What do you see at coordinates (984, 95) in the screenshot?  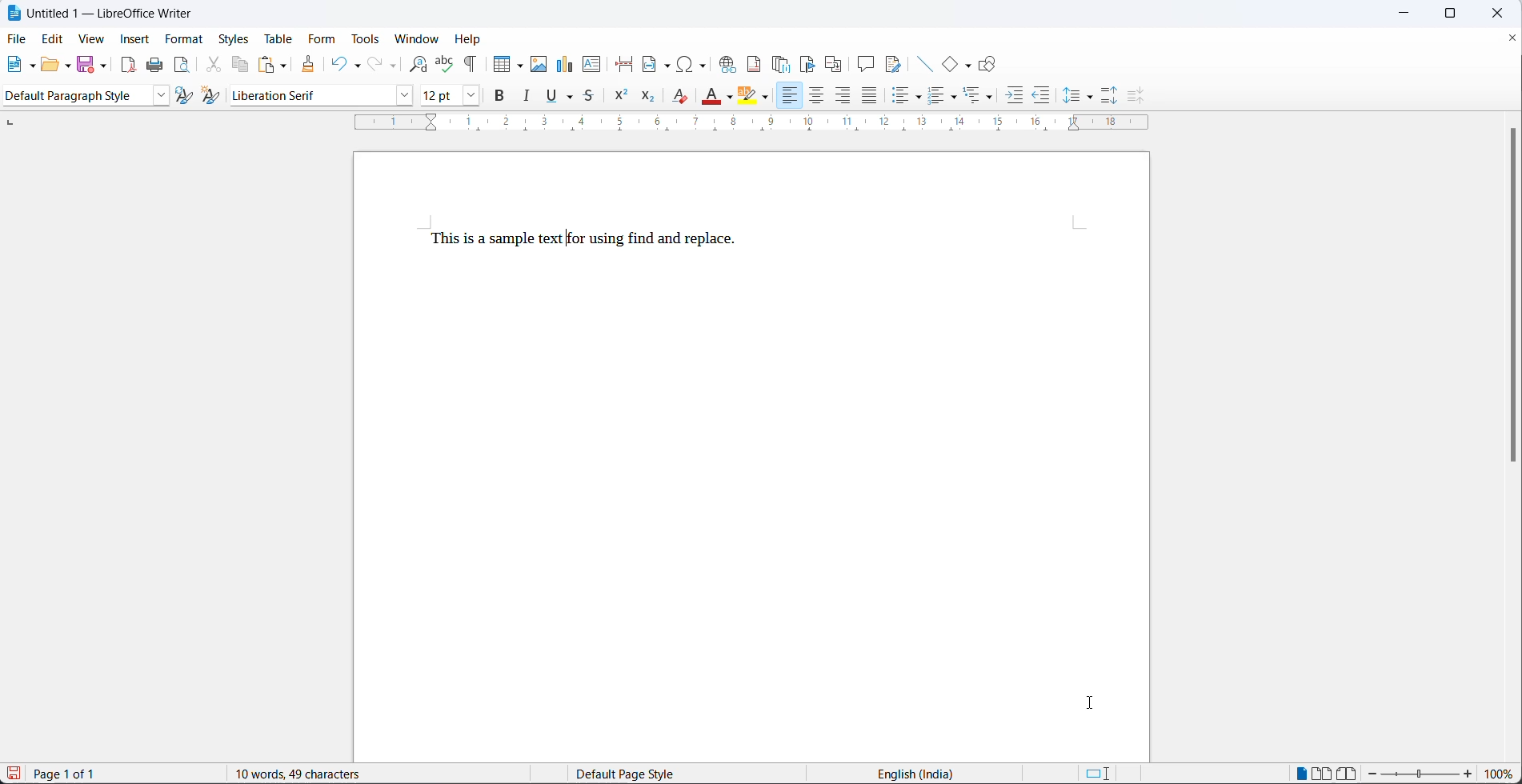 I see `select outline formatting` at bounding box center [984, 95].